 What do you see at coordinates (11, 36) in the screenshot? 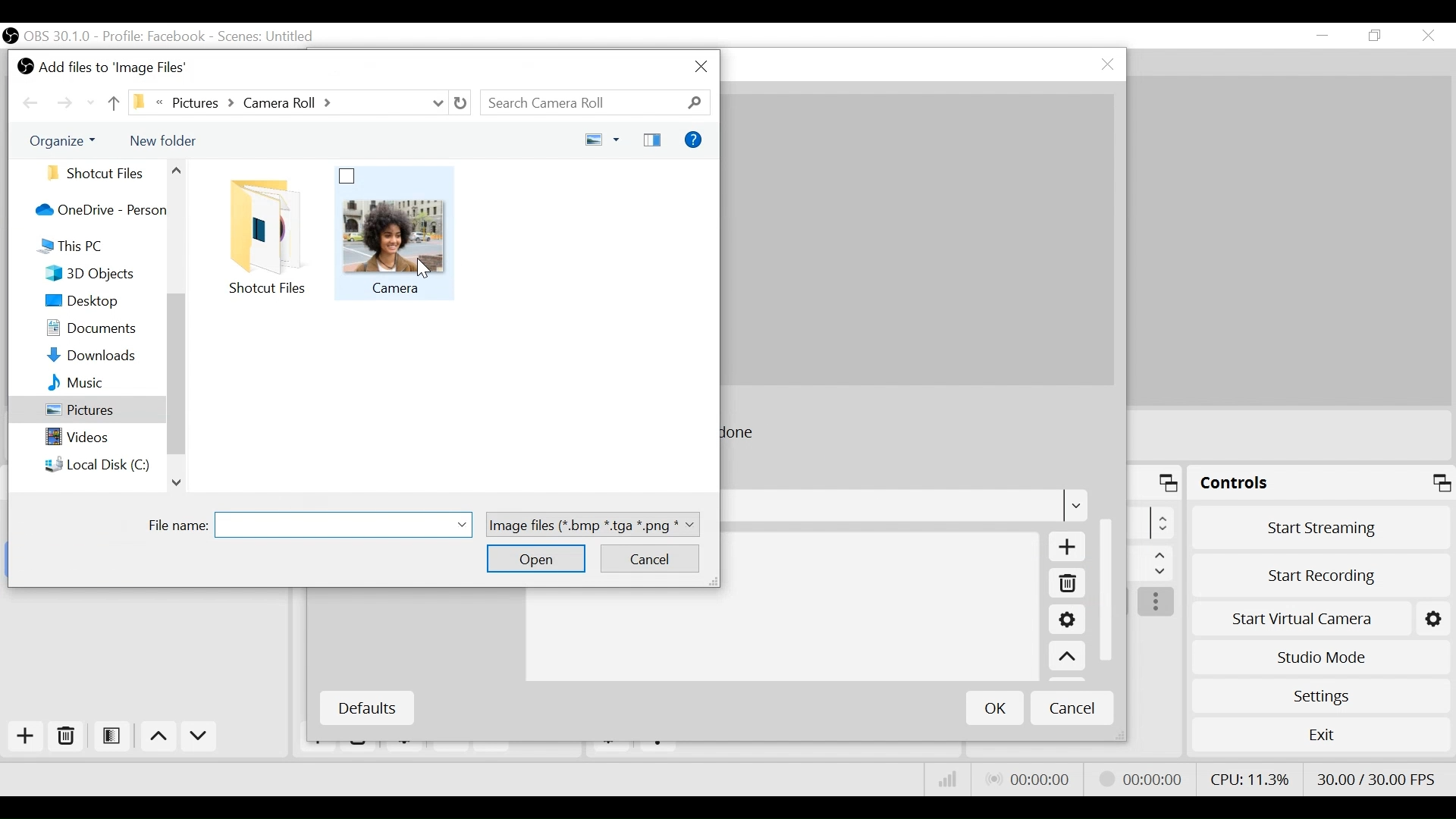
I see `OBS Desktop Icon` at bounding box center [11, 36].